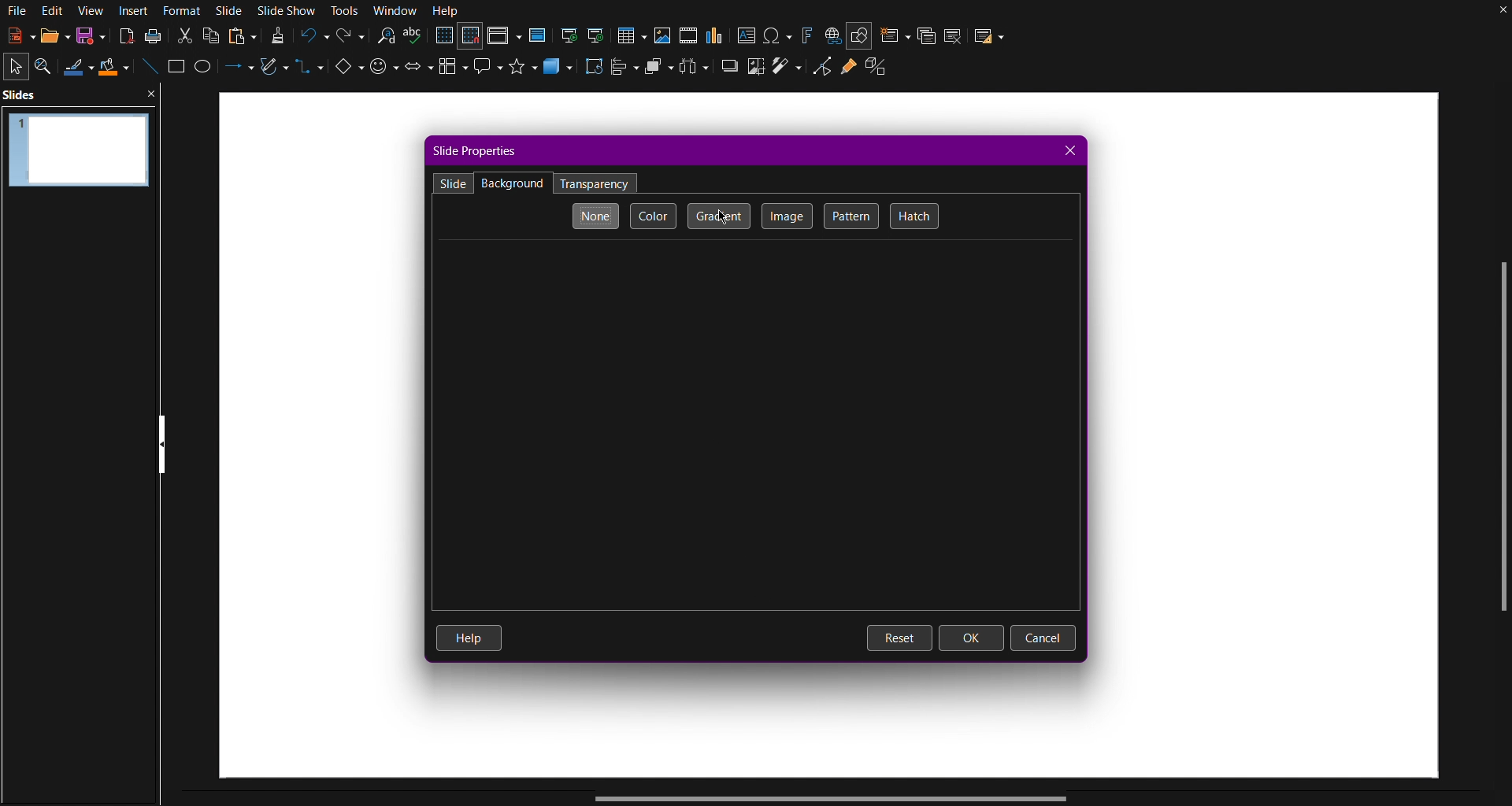 The width and height of the screenshot is (1512, 806). What do you see at coordinates (595, 182) in the screenshot?
I see `Transparency` at bounding box center [595, 182].